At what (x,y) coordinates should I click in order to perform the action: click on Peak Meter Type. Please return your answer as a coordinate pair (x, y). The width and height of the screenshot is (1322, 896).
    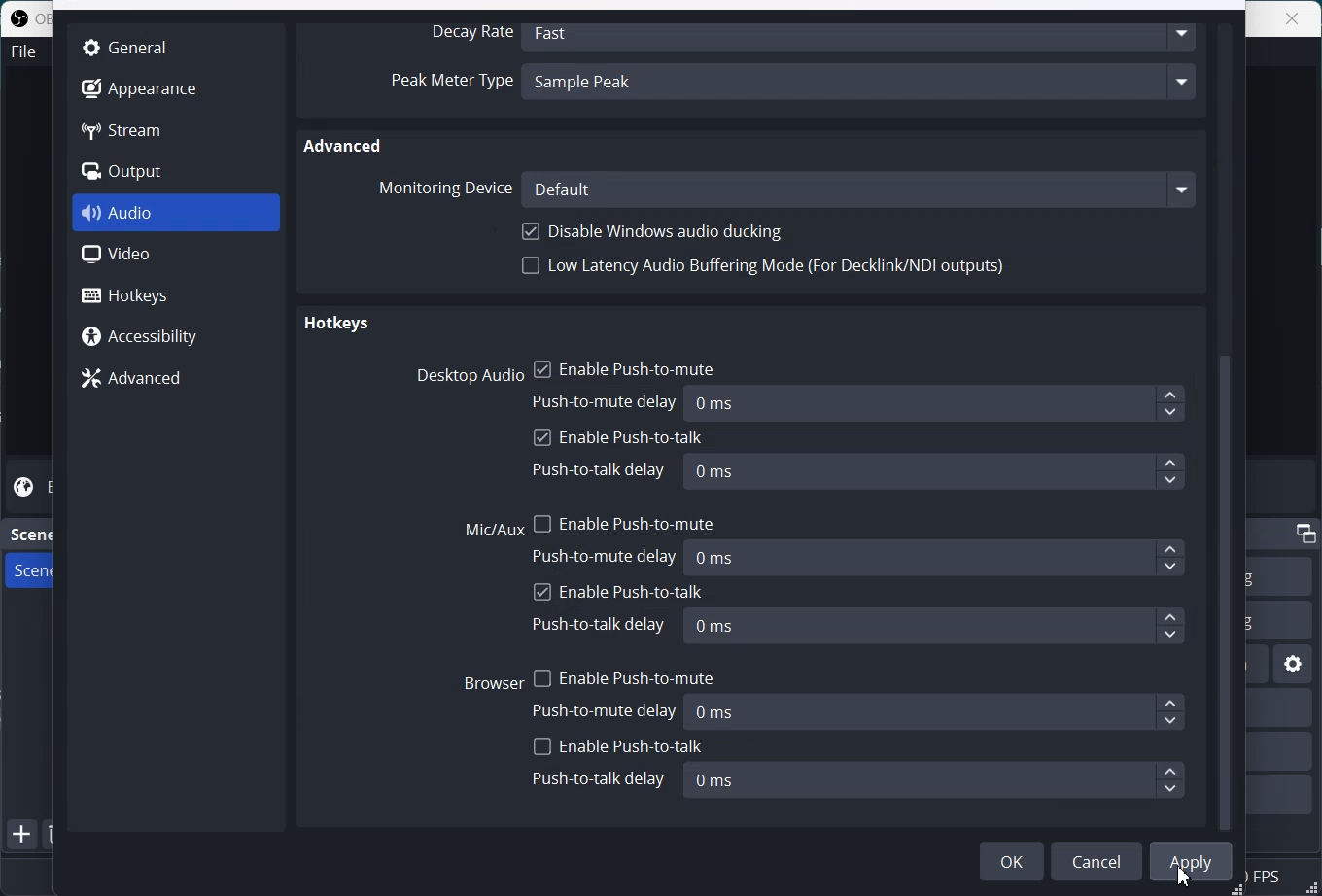
    Looking at the image, I should click on (451, 84).